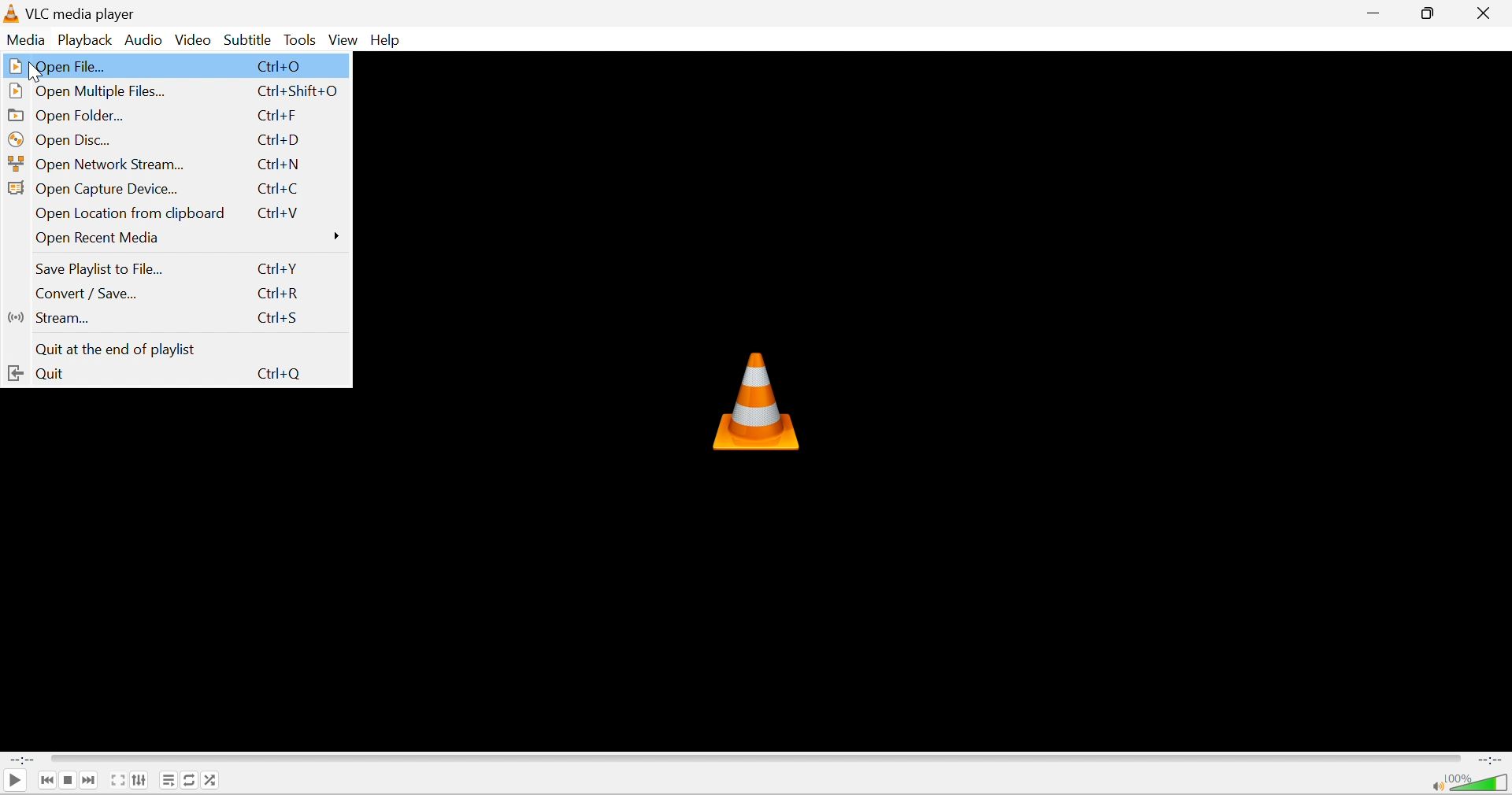 The image size is (1512, 795). I want to click on Tools, so click(302, 41).